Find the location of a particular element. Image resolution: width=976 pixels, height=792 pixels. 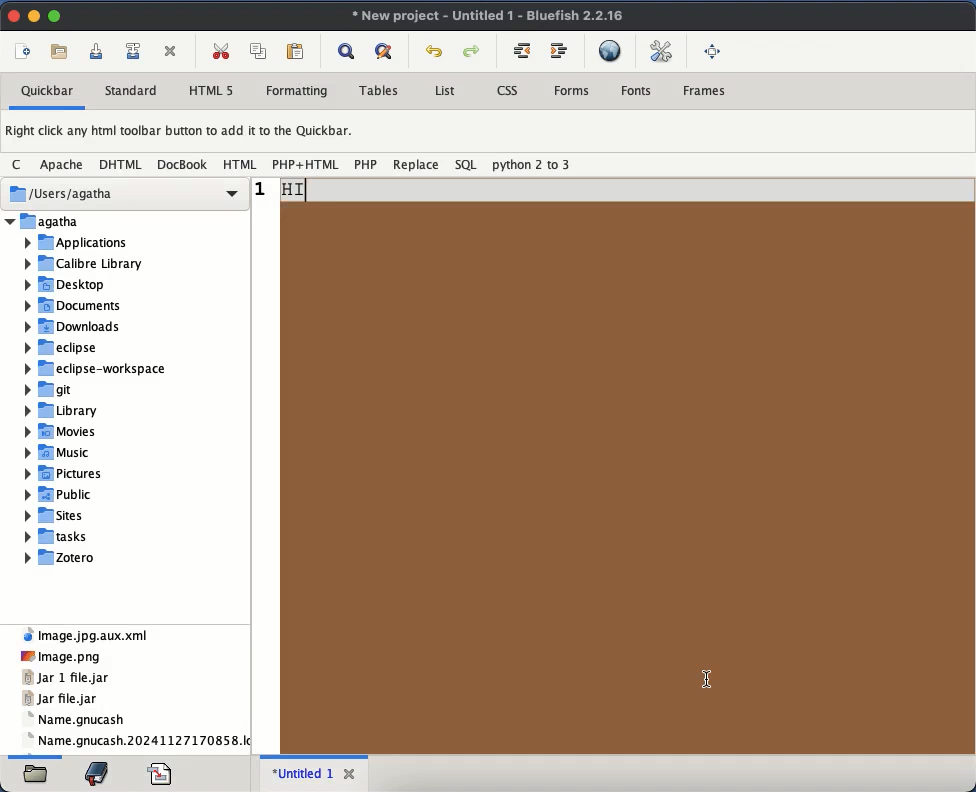

Music is located at coordinates (58, 453).